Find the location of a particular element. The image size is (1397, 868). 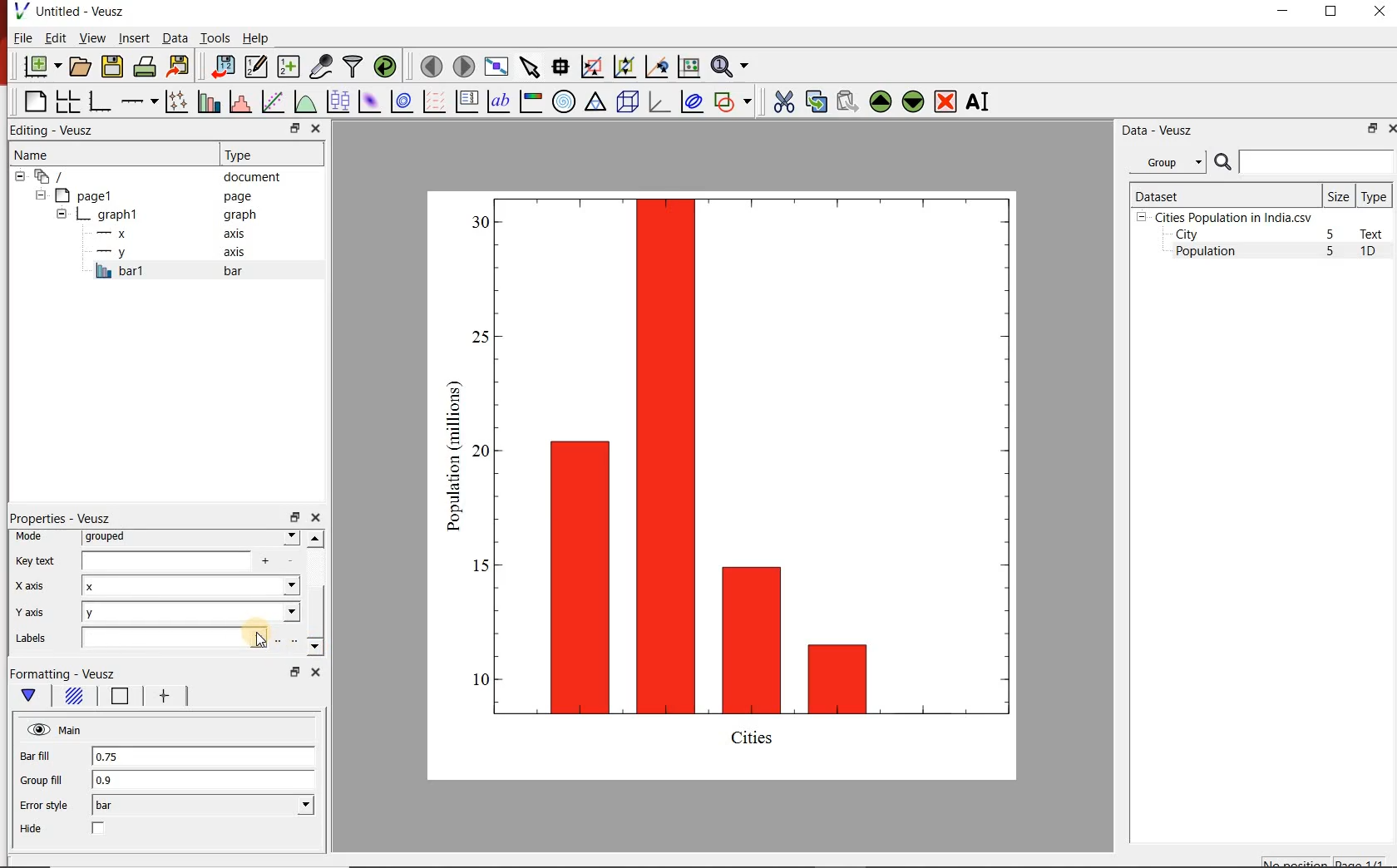

Name is located at coordinates (94, 154).